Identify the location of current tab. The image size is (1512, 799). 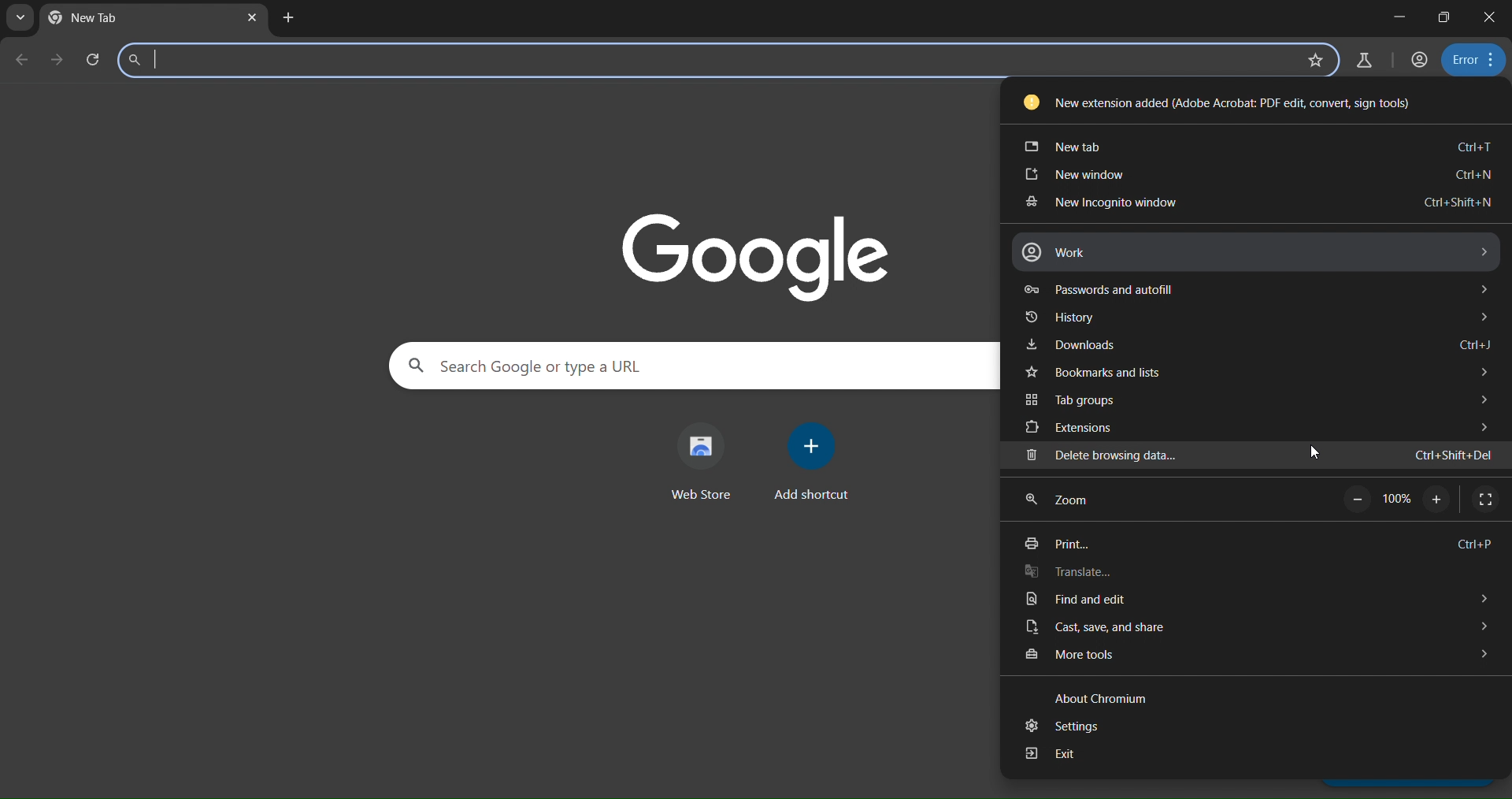
(102, 20).